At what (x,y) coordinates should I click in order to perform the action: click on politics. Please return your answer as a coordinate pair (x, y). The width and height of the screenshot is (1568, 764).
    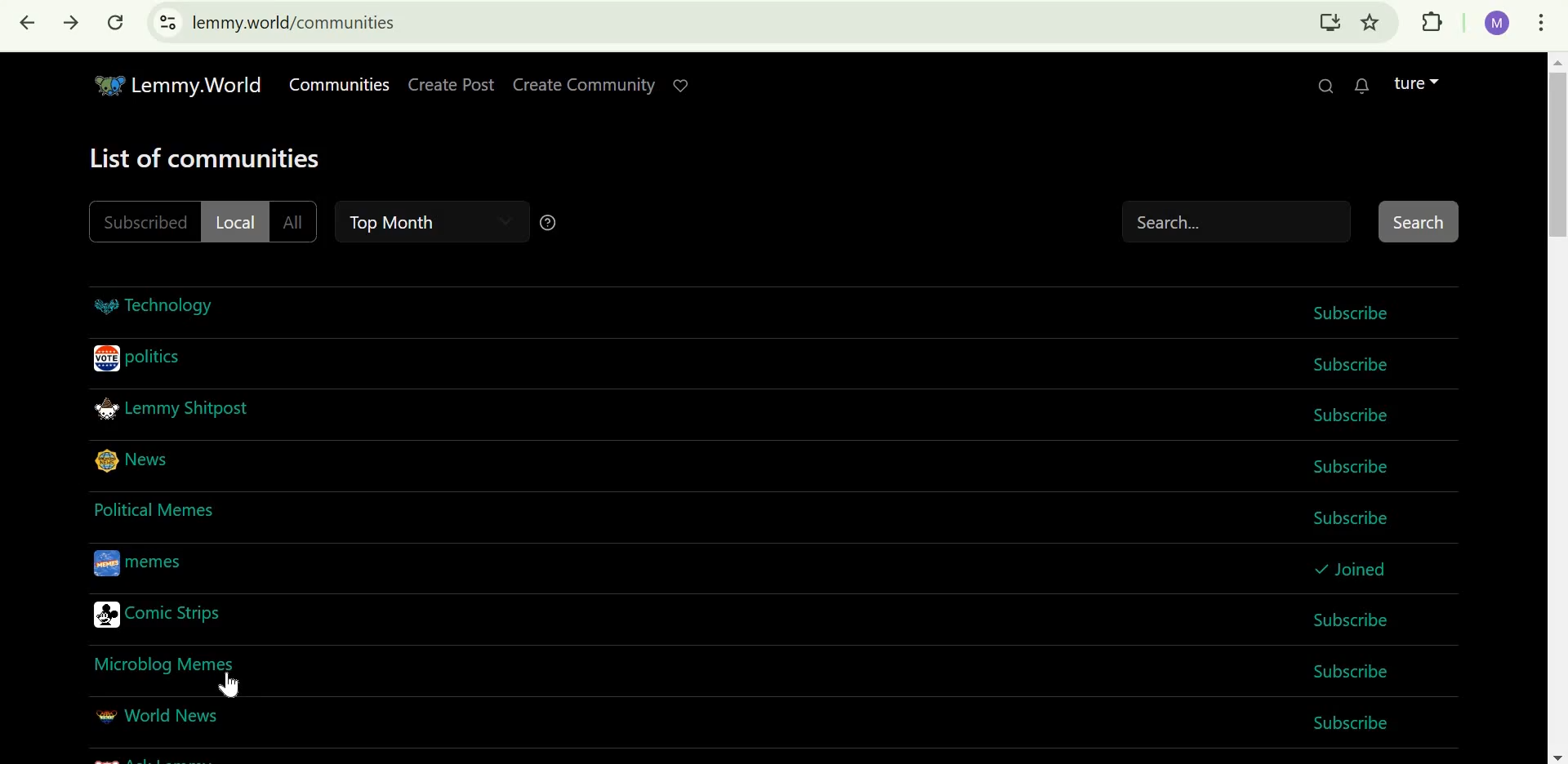
    Looking at the image, I should click on (139, 359).